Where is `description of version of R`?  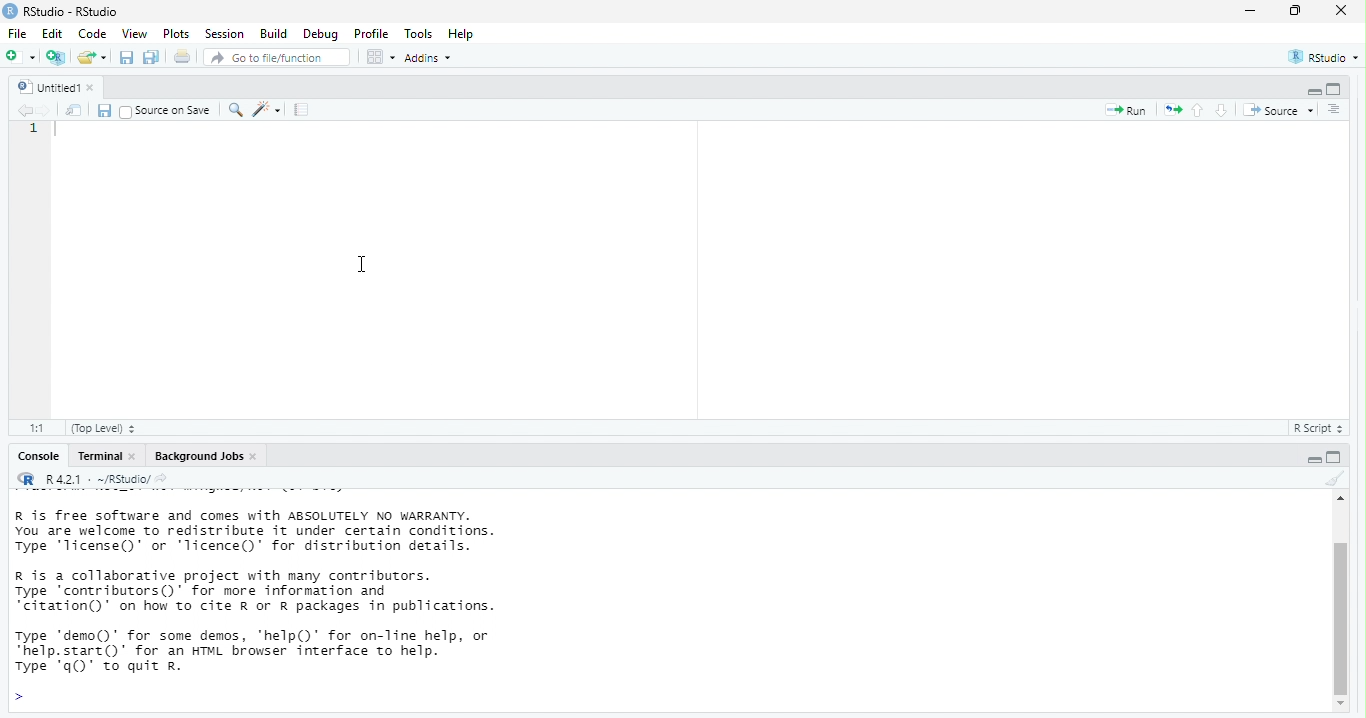
description of version of R is located at coordinates (277, 525).